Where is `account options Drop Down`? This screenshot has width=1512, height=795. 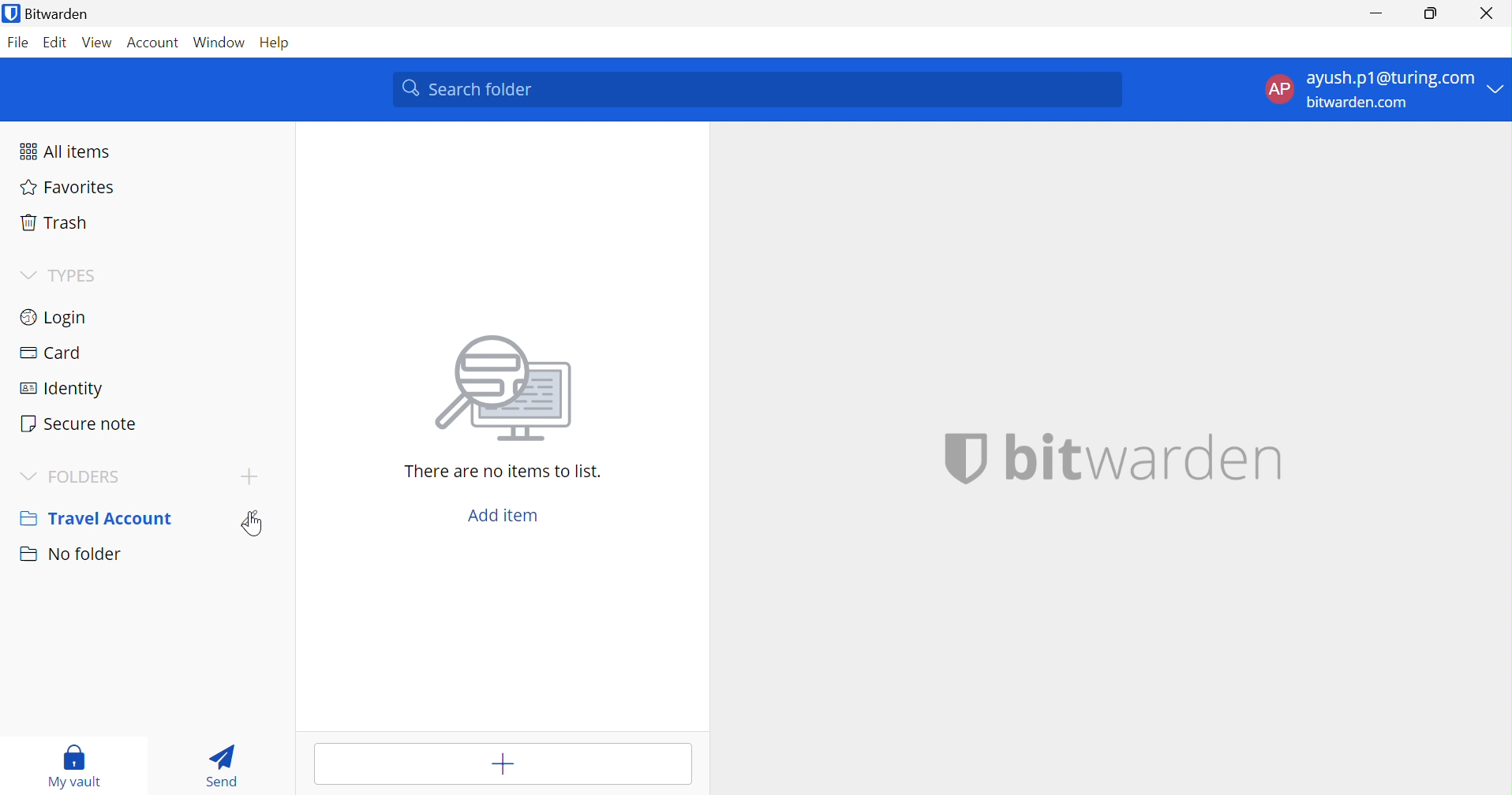
account options Drop Down is located at coordinates (1382, 93).